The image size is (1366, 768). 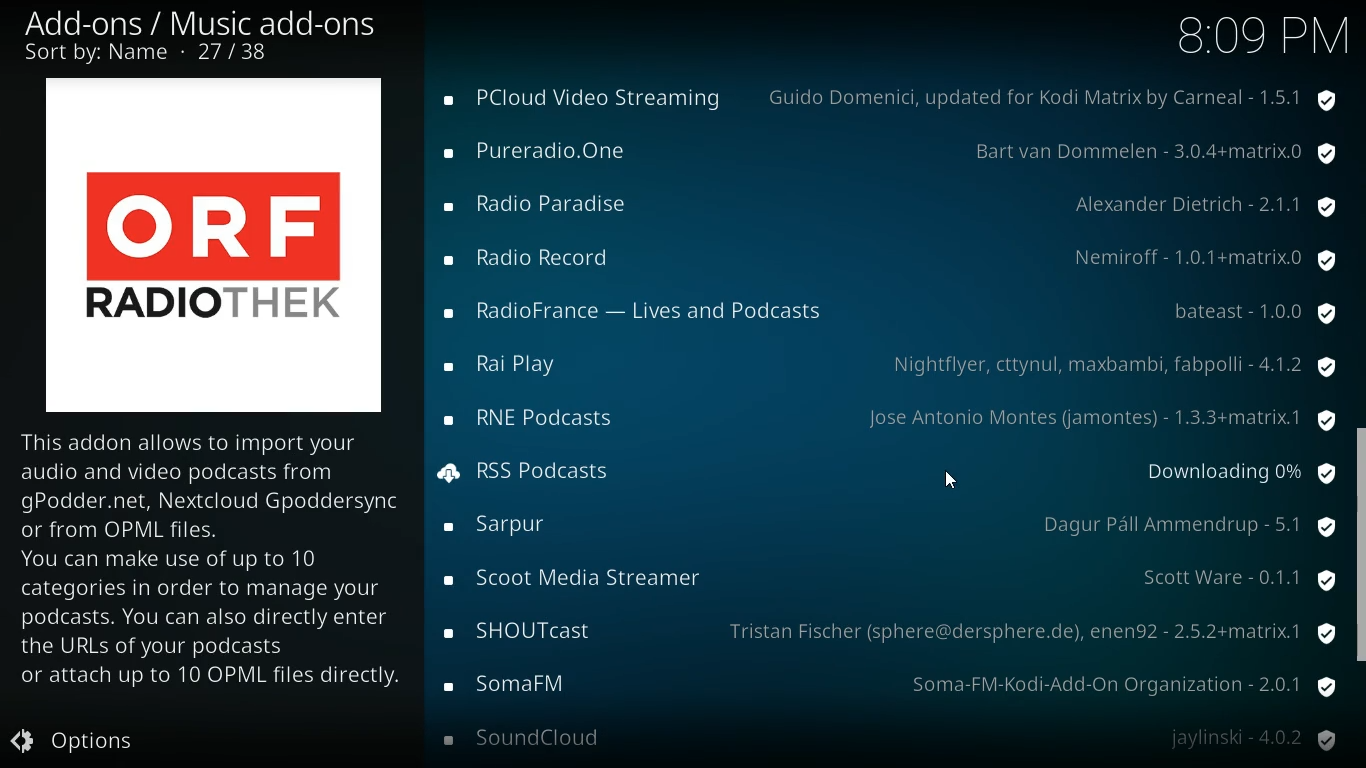 I want to click on RNE Podcasts, so click(x=534, y=420).